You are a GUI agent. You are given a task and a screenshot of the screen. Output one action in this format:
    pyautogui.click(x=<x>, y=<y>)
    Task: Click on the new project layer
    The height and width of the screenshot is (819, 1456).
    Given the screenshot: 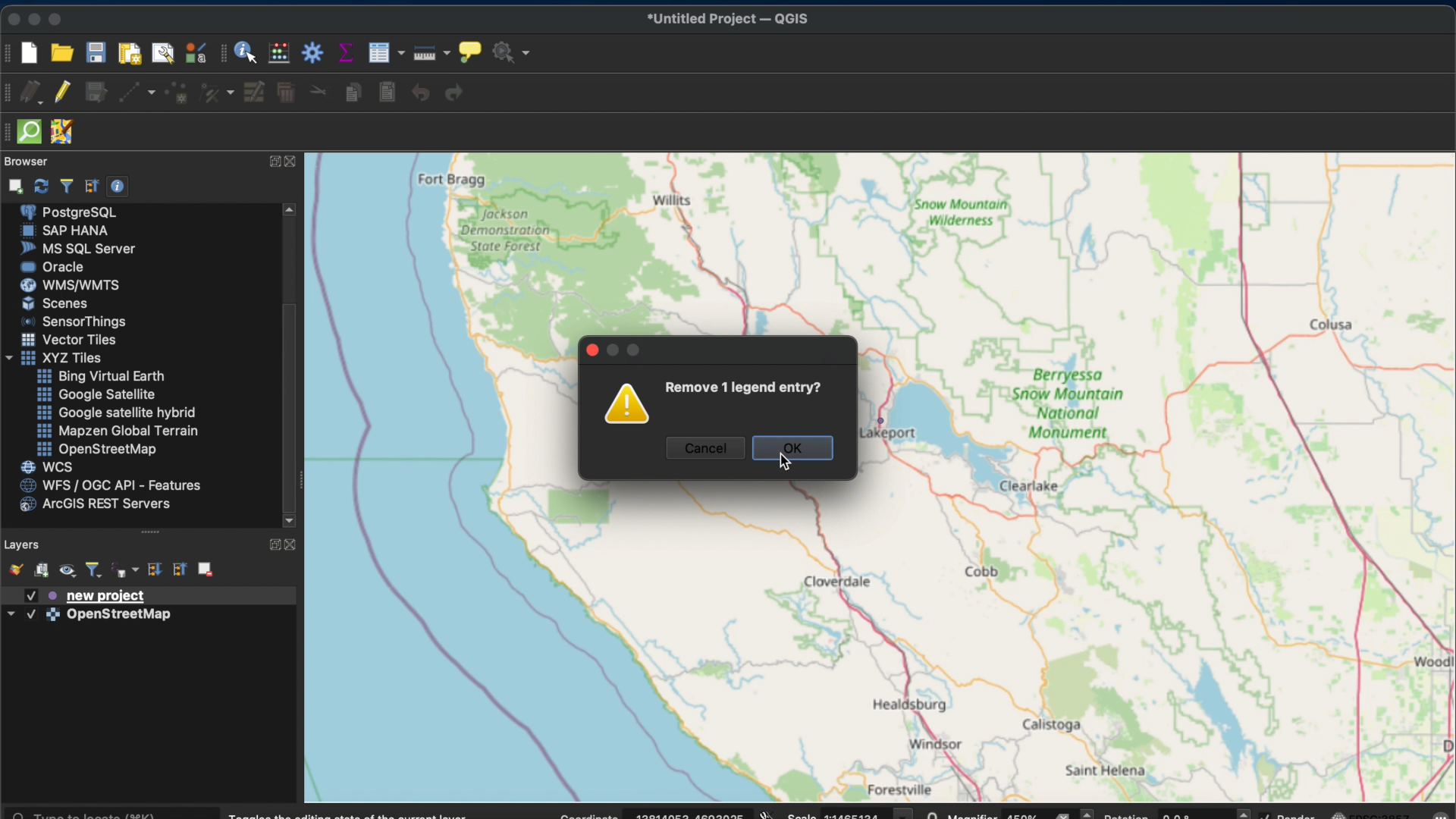 What is the action you would take?
    pyautogui.click(x=83, y=595)
    